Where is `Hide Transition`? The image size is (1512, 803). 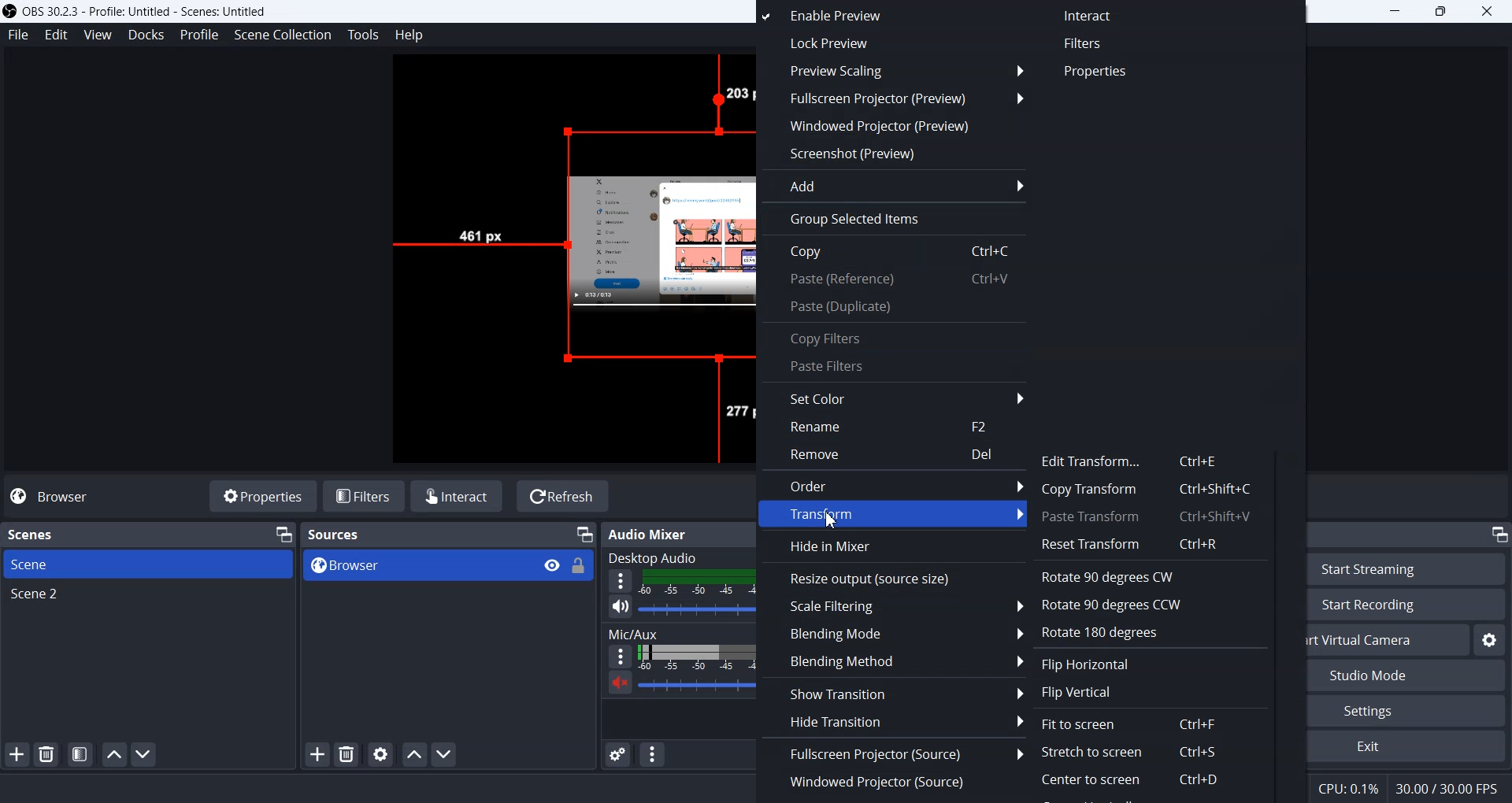
Hide Transition is located at coordinates (892, 720).